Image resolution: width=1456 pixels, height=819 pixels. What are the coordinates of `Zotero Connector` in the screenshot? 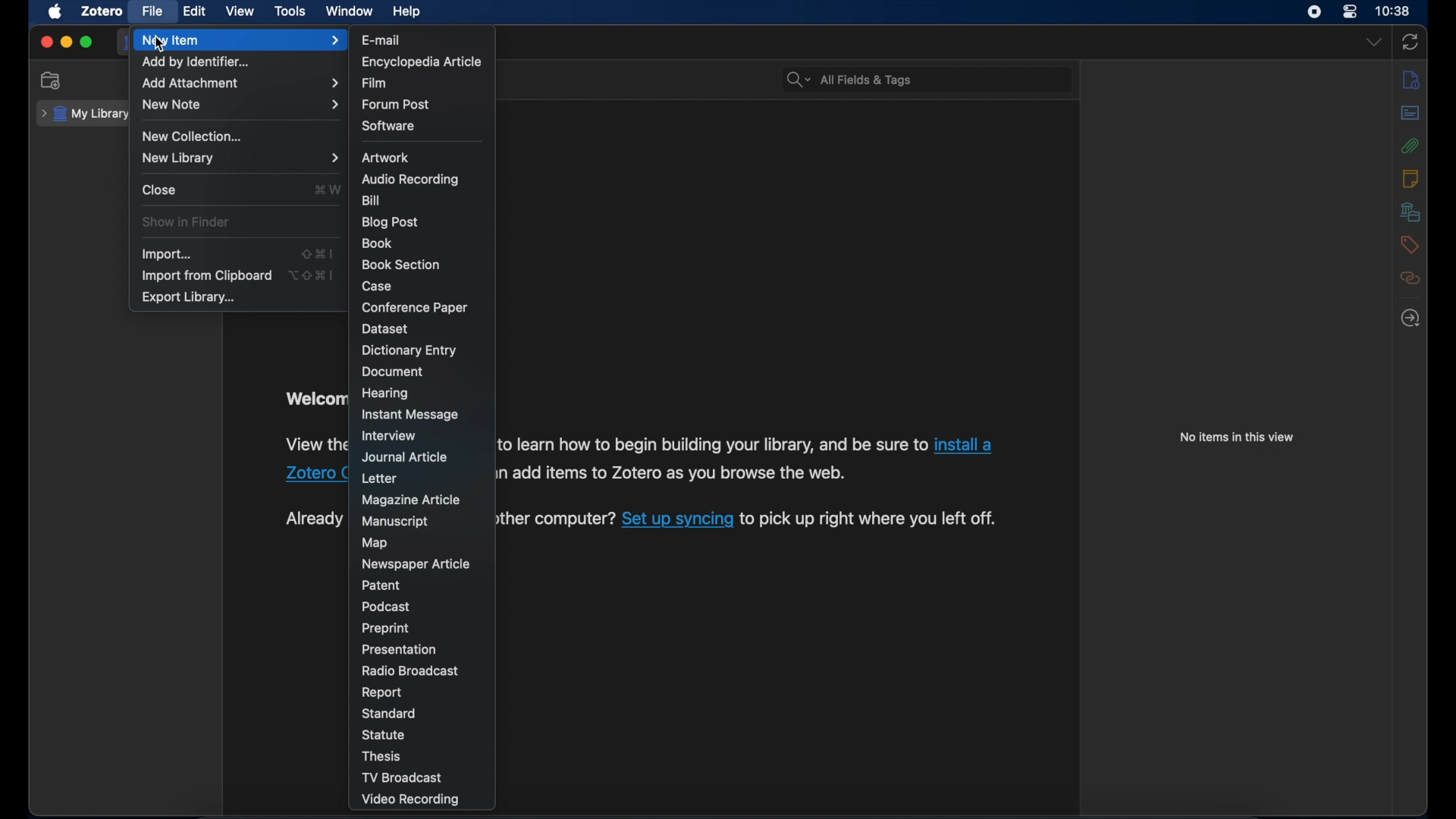 It's located at (315, 475).